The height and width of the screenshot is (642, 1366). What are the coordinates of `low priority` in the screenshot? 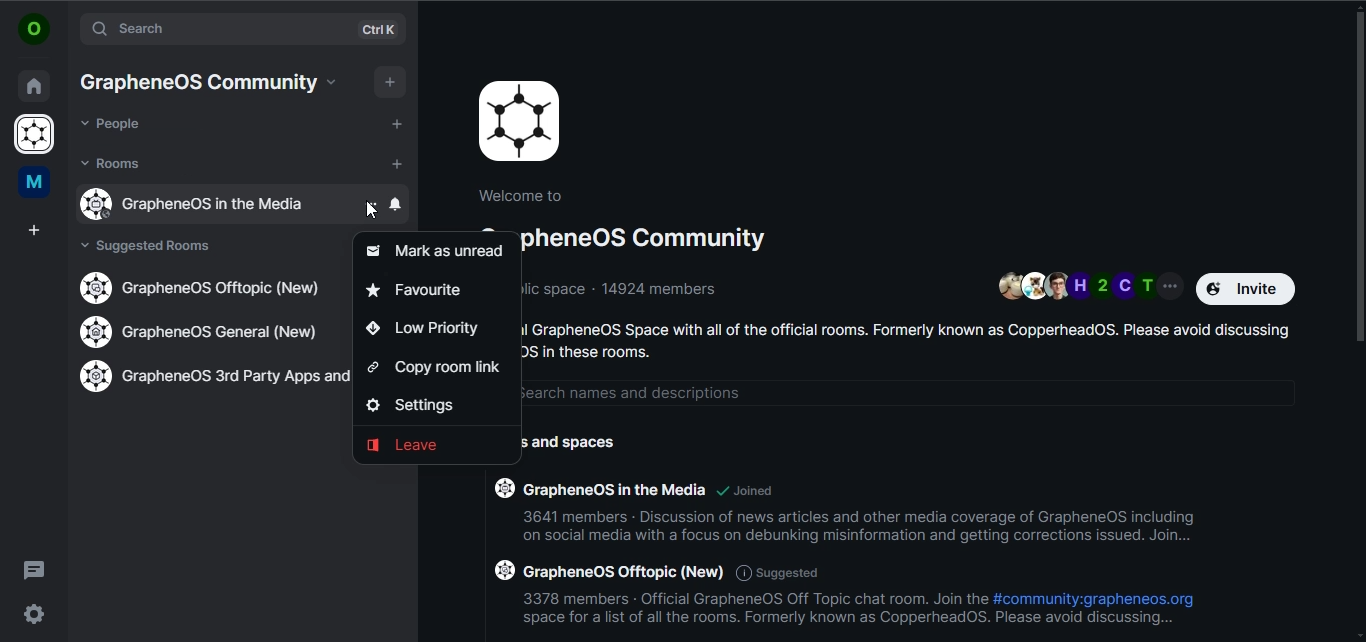 It's located at (422, 327).